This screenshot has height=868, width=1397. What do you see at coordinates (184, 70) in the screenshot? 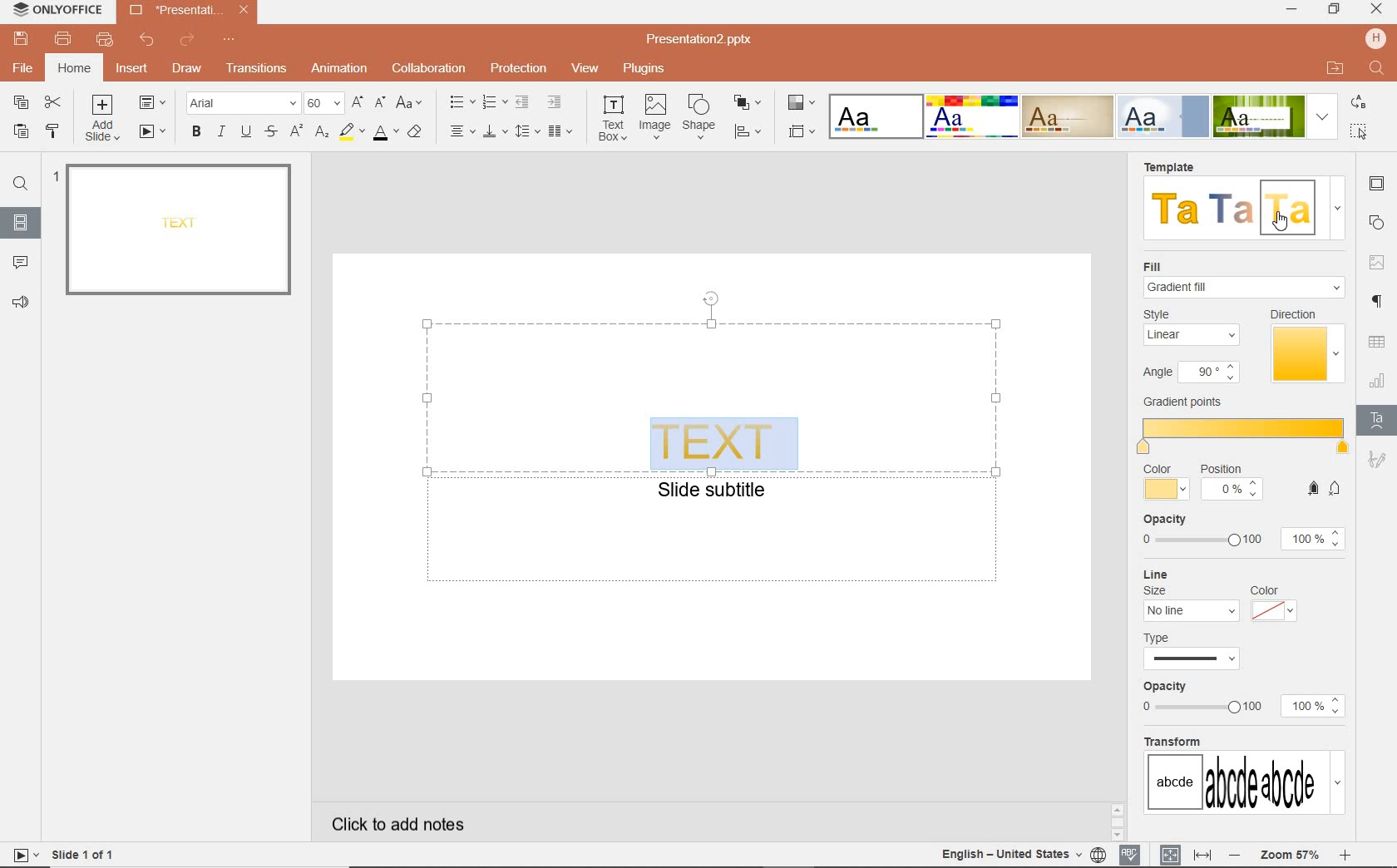
I see `DRAW` at bounding box center [184, 70].